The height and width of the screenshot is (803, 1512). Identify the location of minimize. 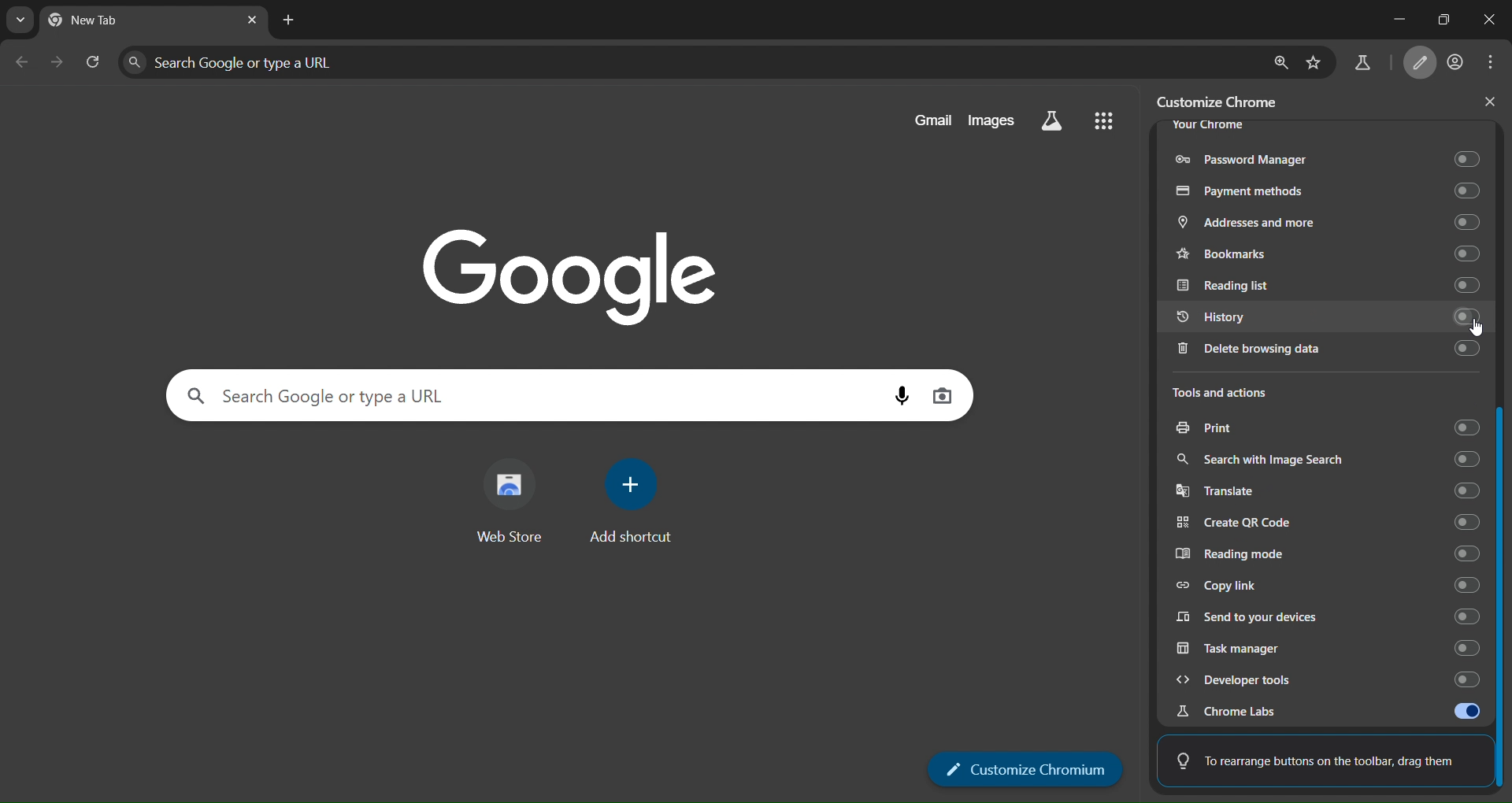
(1382, 20).